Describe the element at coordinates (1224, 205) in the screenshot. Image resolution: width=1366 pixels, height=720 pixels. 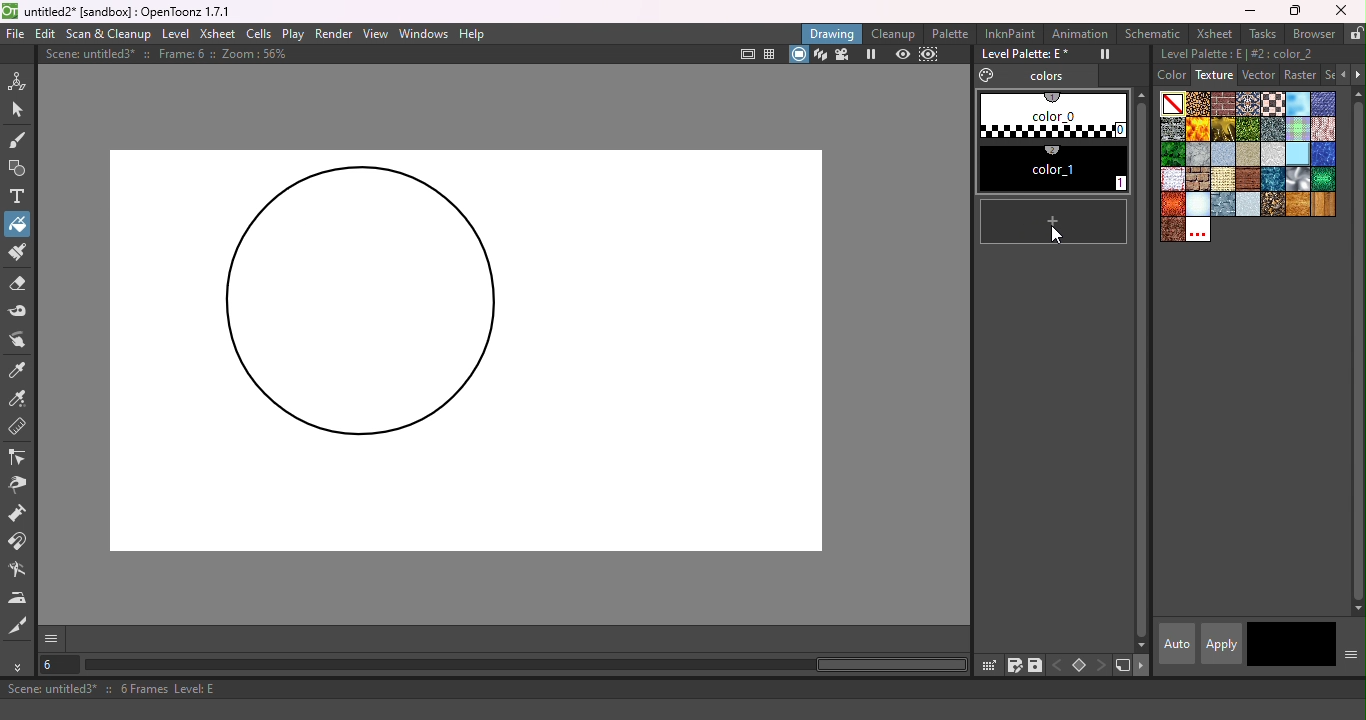
I see `steelplates.bmp` at that location.